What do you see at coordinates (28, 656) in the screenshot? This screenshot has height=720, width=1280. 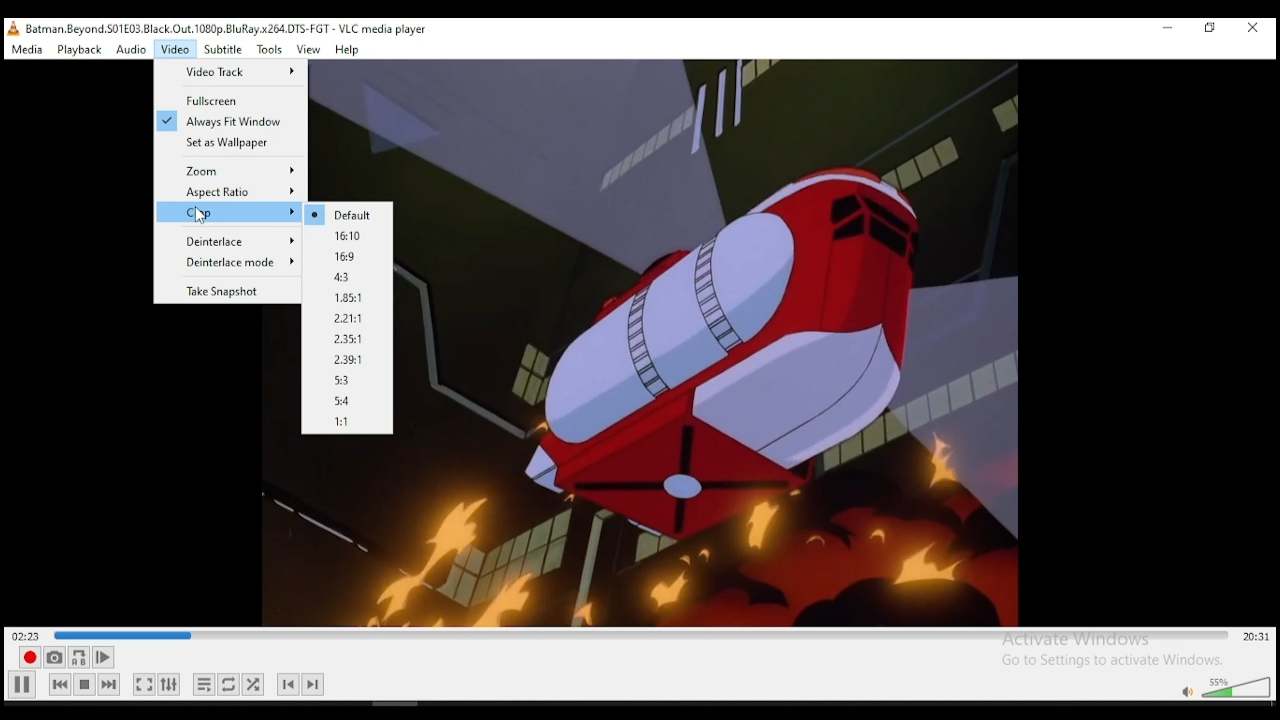 I see `record` at bounding box center [28, 656].